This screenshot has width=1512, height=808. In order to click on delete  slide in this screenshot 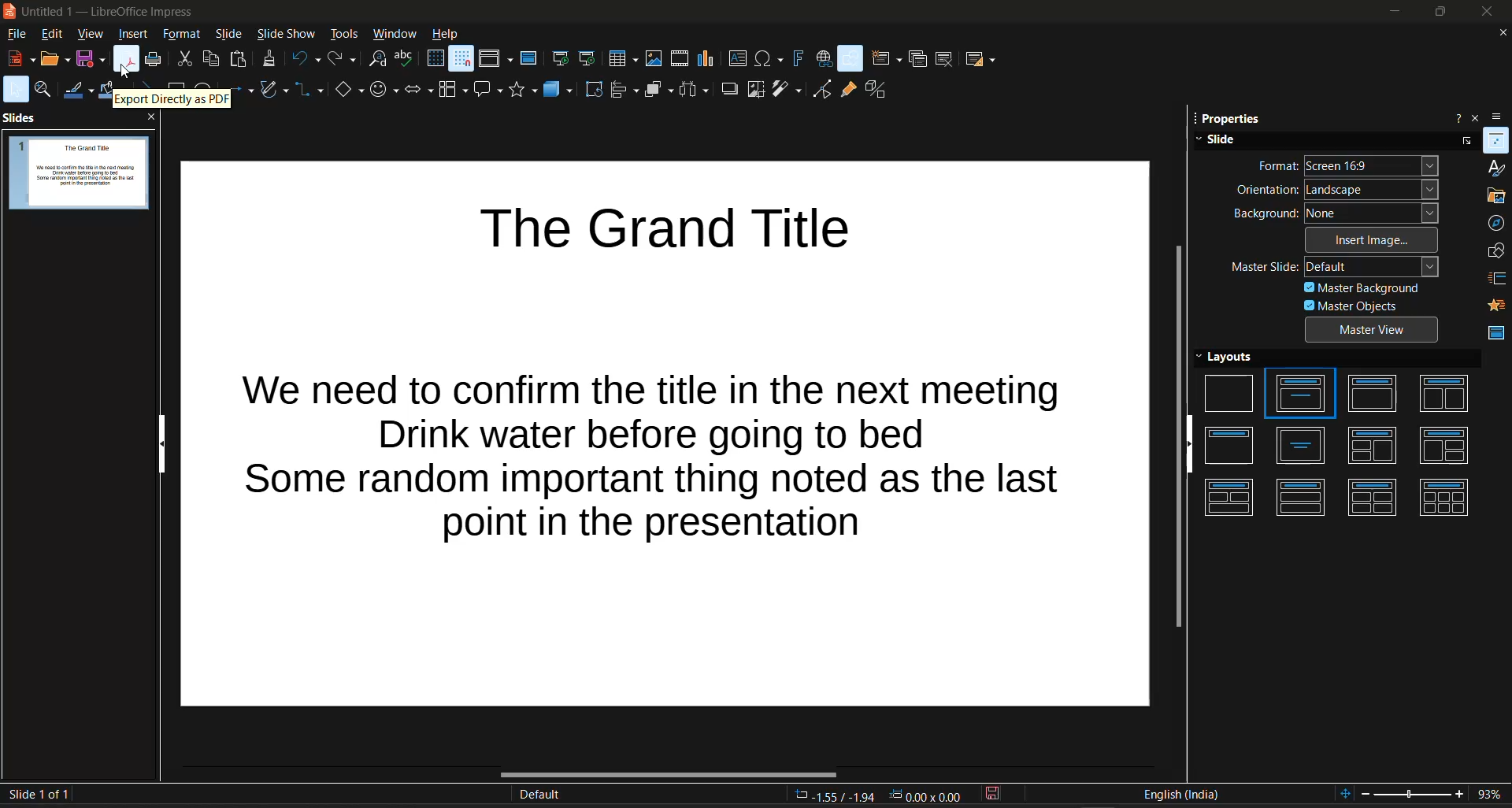, I will do `click(945, 58)`.